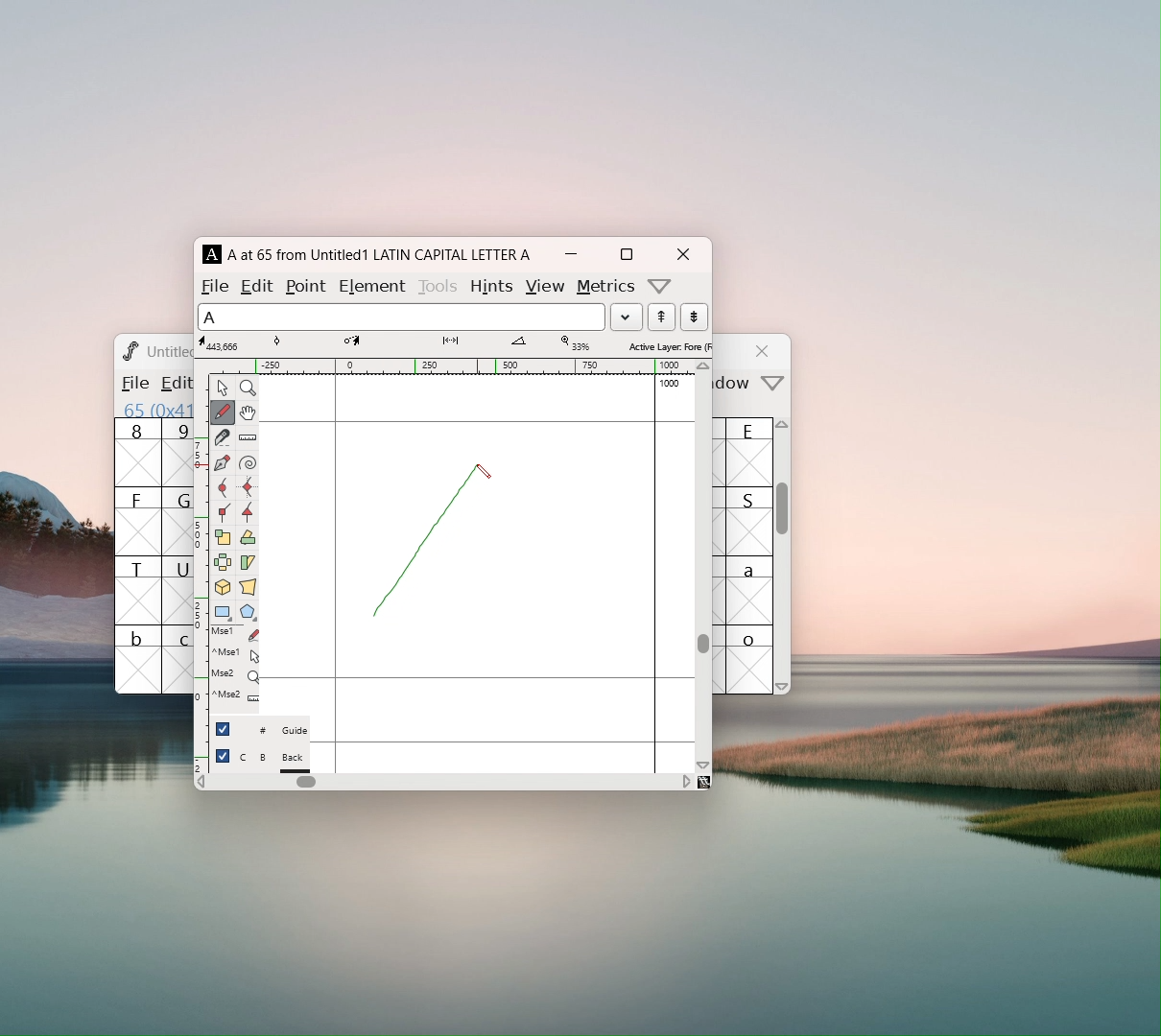 This screenshot has width=1161, height=1036. Describe the element at coordinates (223, 538) in the screenshot. I see `scale the selection` at that location.